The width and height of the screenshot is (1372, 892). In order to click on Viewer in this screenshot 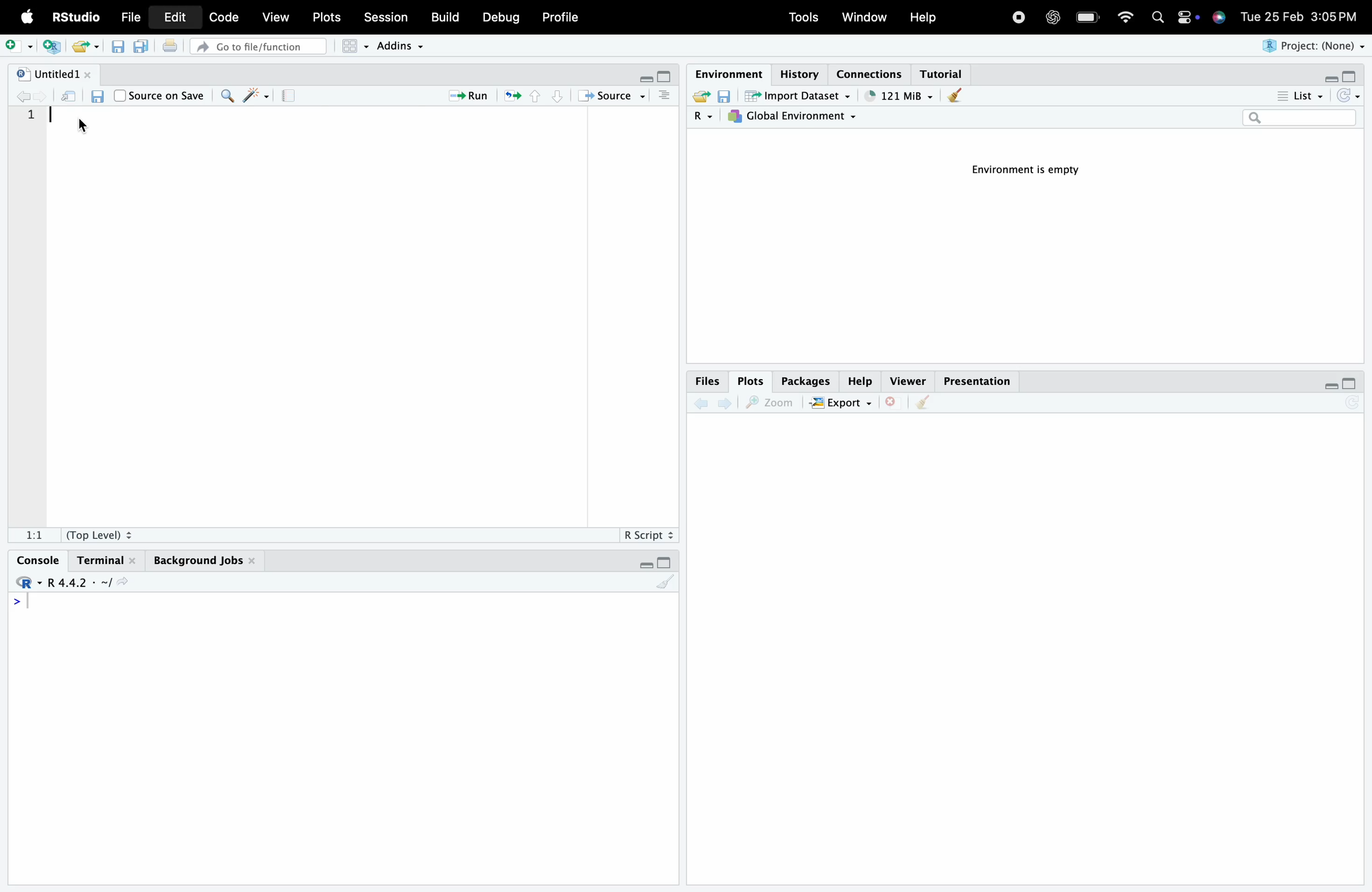, I will do `click(908, 381)`.